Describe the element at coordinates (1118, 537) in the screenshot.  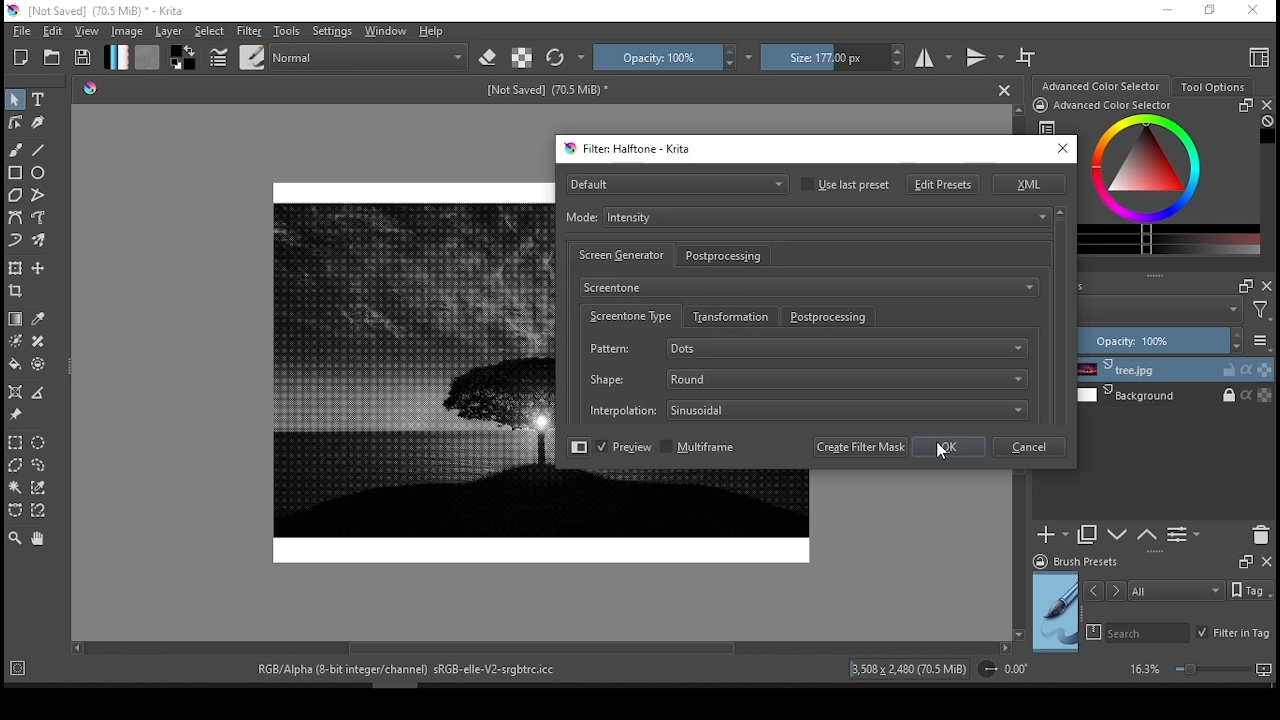
I see `move layer or down` at that location.